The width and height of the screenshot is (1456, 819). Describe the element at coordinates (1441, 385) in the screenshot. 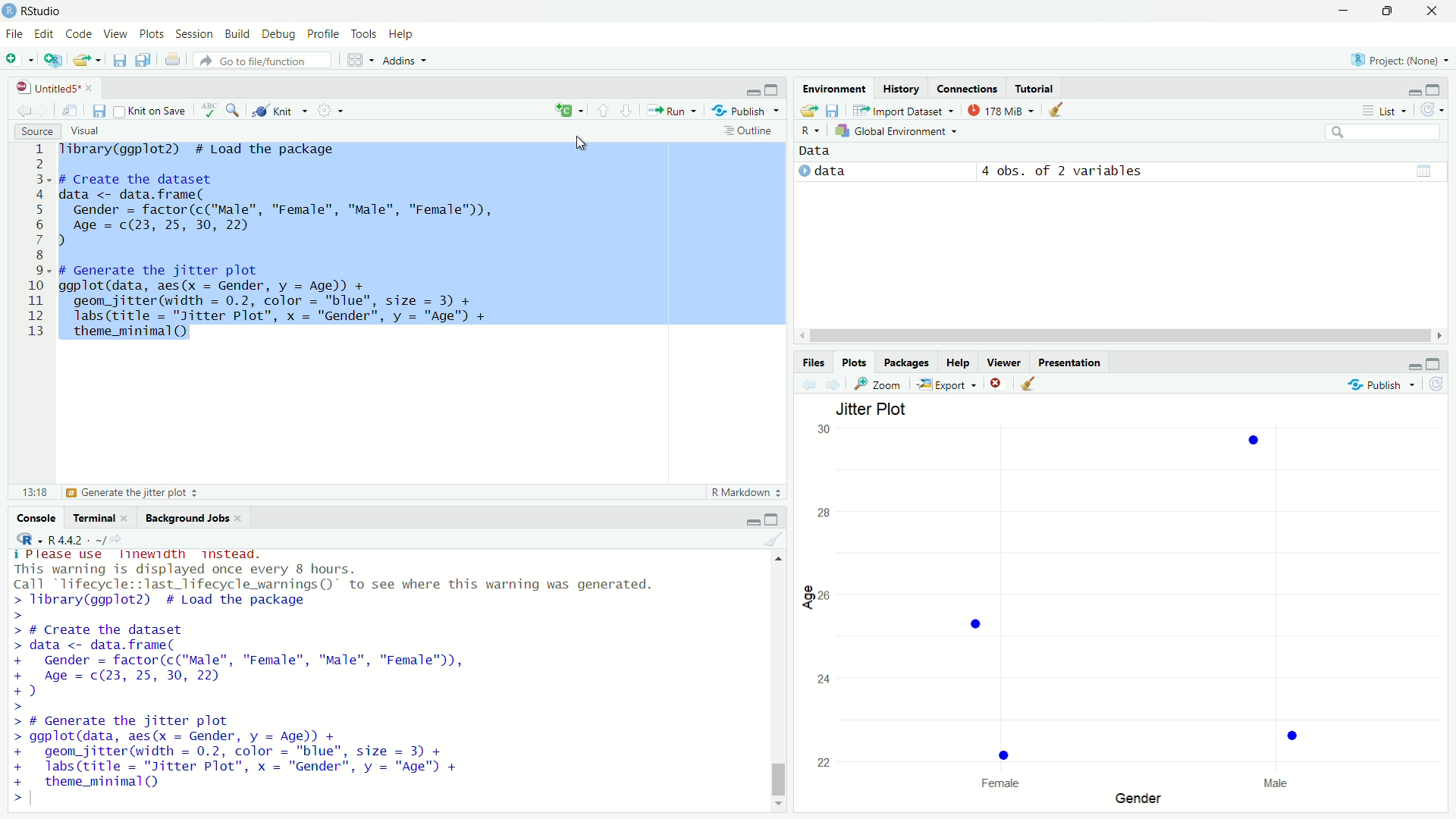

I see `refresh` at that location.